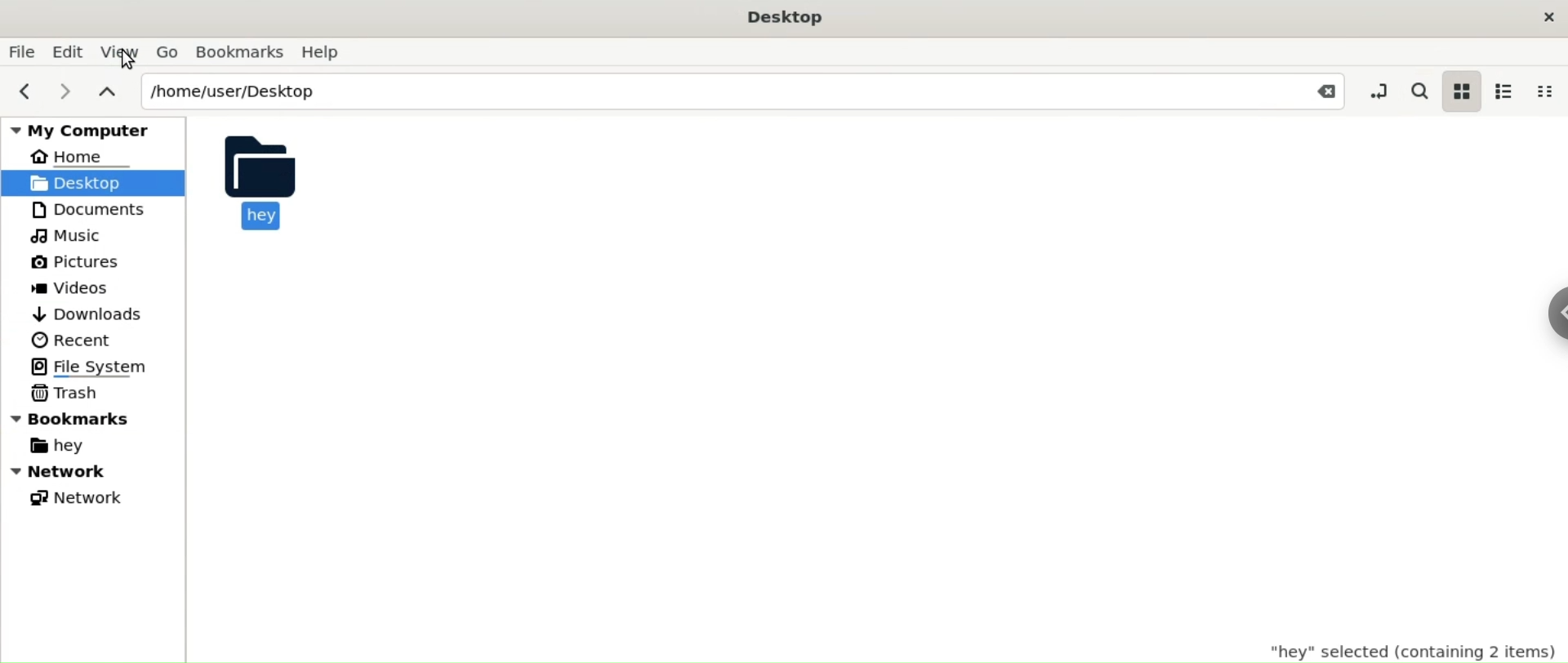 Image resolution: width=1568 pixels, height=663 pixels. What do you see at coordinates (71, 340) in the screenshot?
I see `Recent` at bounding box center [71, 340].